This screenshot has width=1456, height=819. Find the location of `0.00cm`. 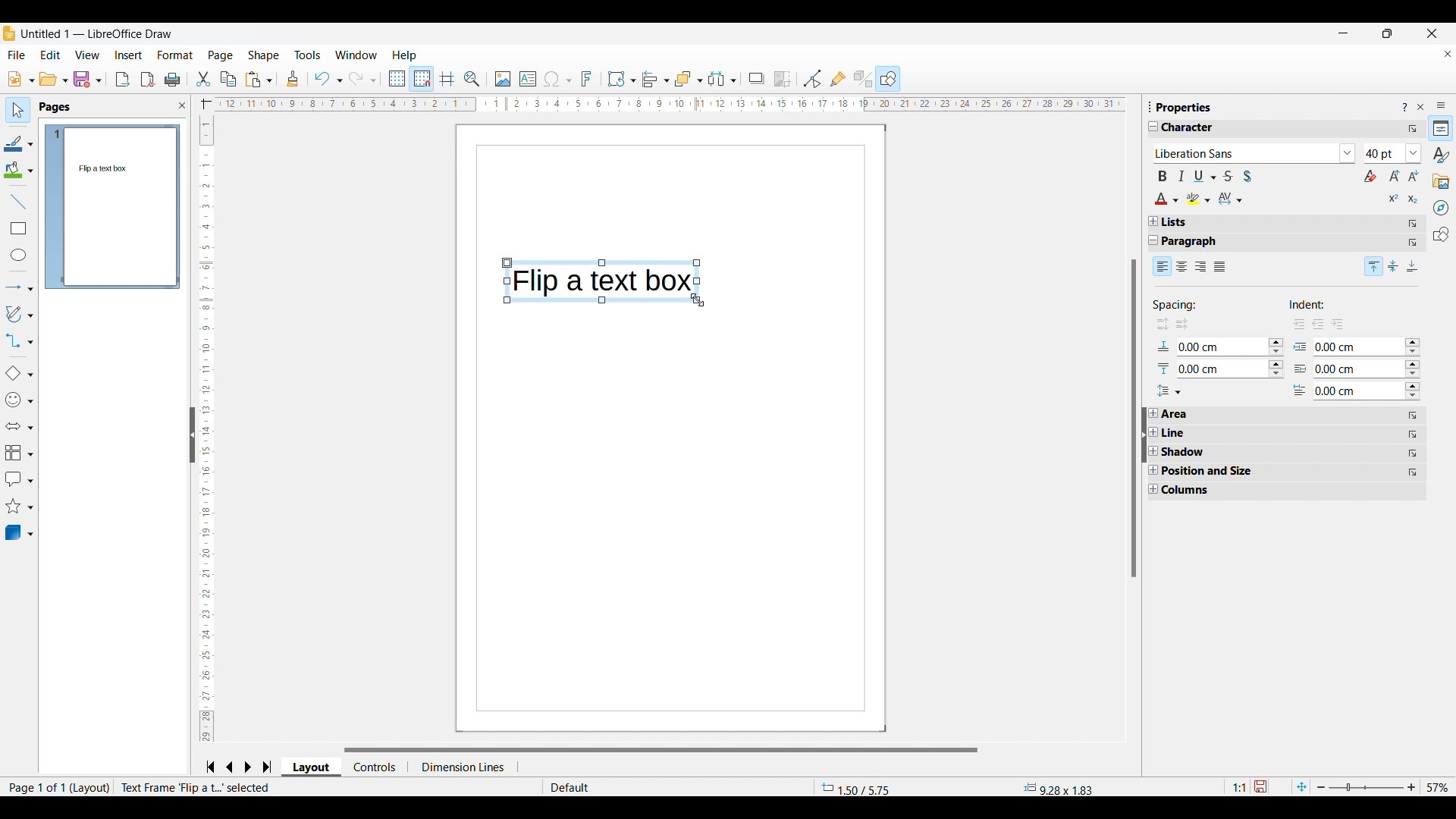

0.00cm is located at coordinates (1216, 368).